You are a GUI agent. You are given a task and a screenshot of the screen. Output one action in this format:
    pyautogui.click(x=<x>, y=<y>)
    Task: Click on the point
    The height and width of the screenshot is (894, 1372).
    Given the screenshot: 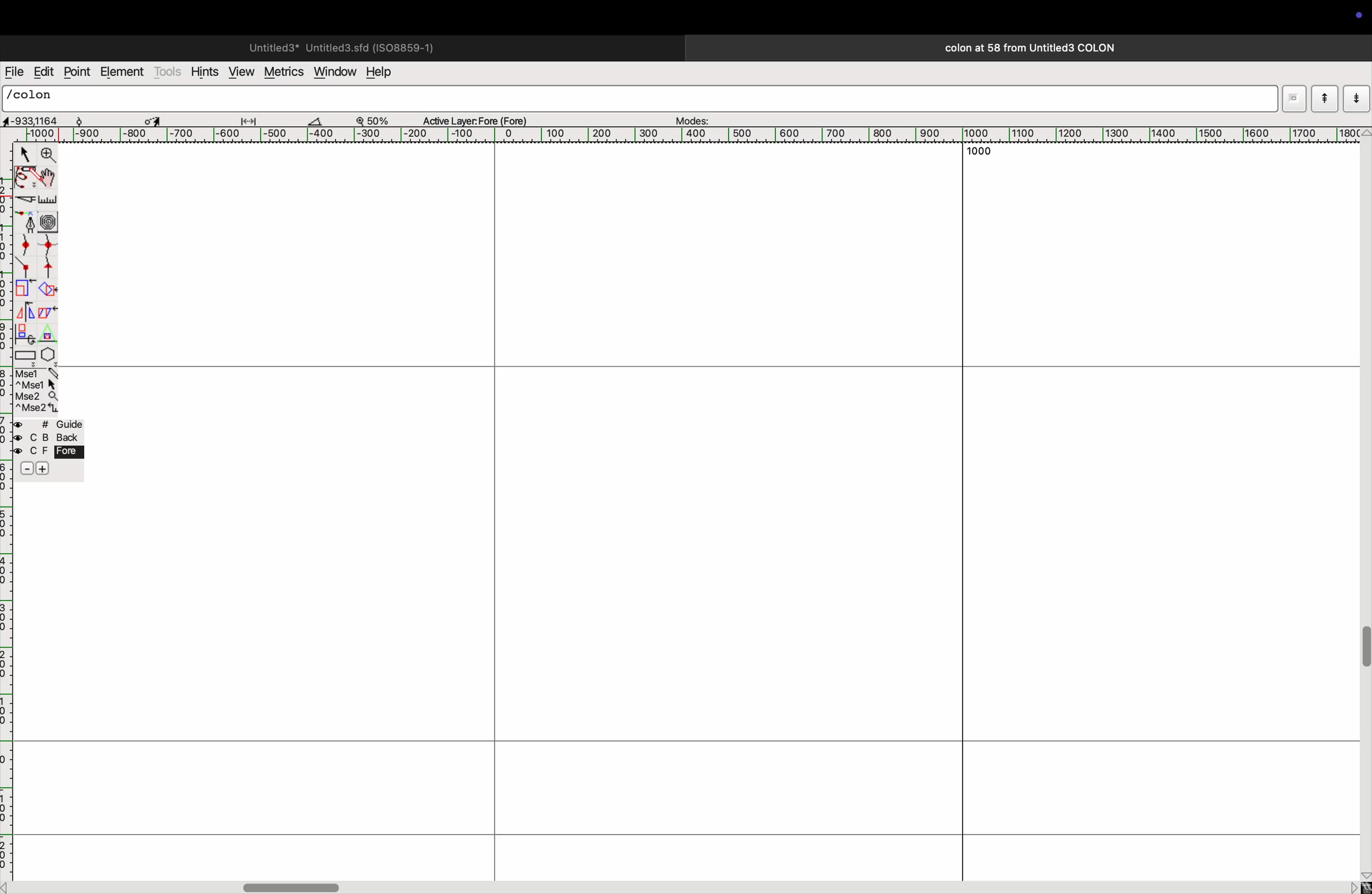 What is the action you would take?
    pyautogui.click(x=79, y=73)
    